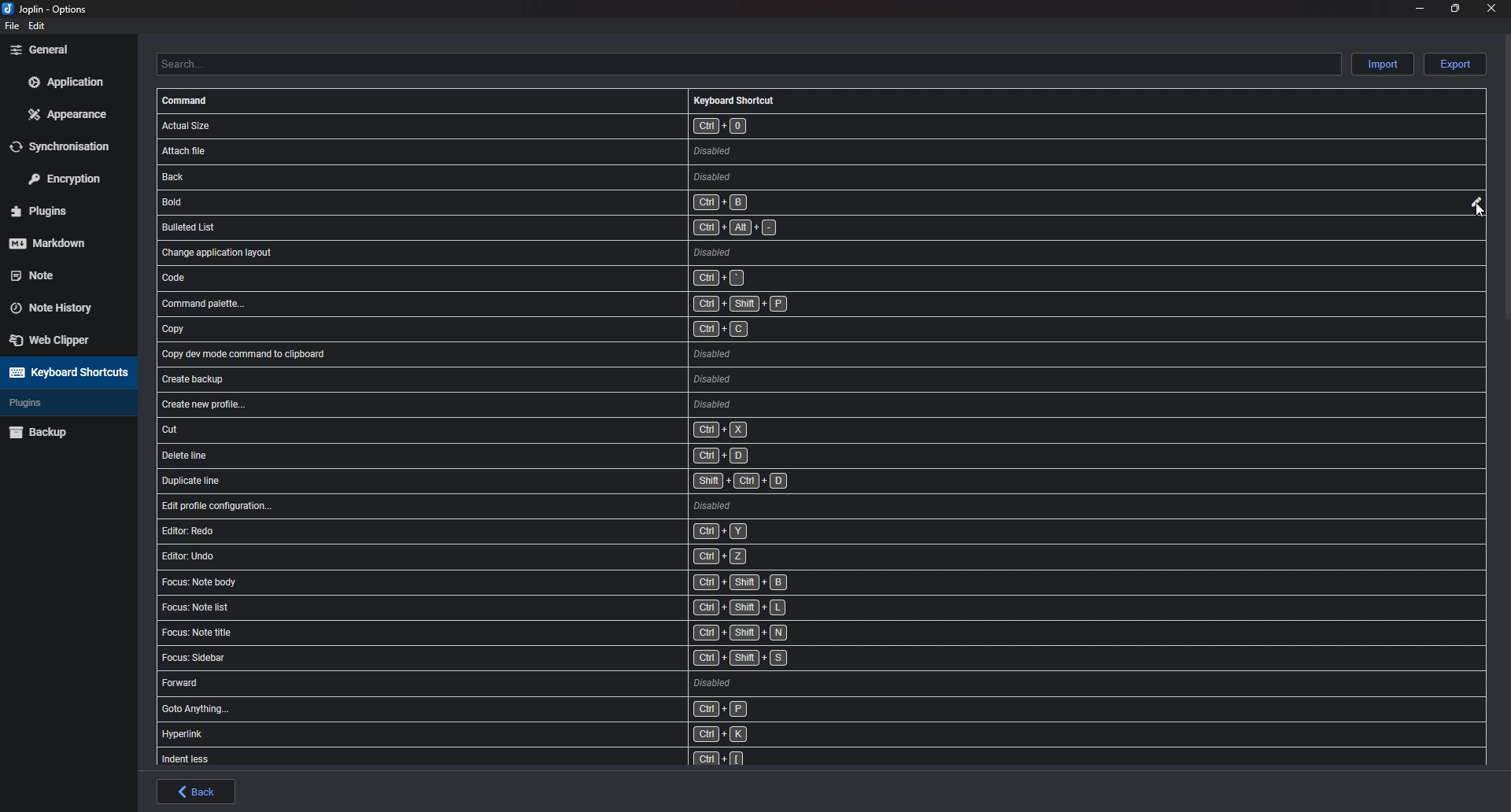  Describe the element at coordinates (734, 100) in the screenshot. I see `Keyboard shortcut` at that location.